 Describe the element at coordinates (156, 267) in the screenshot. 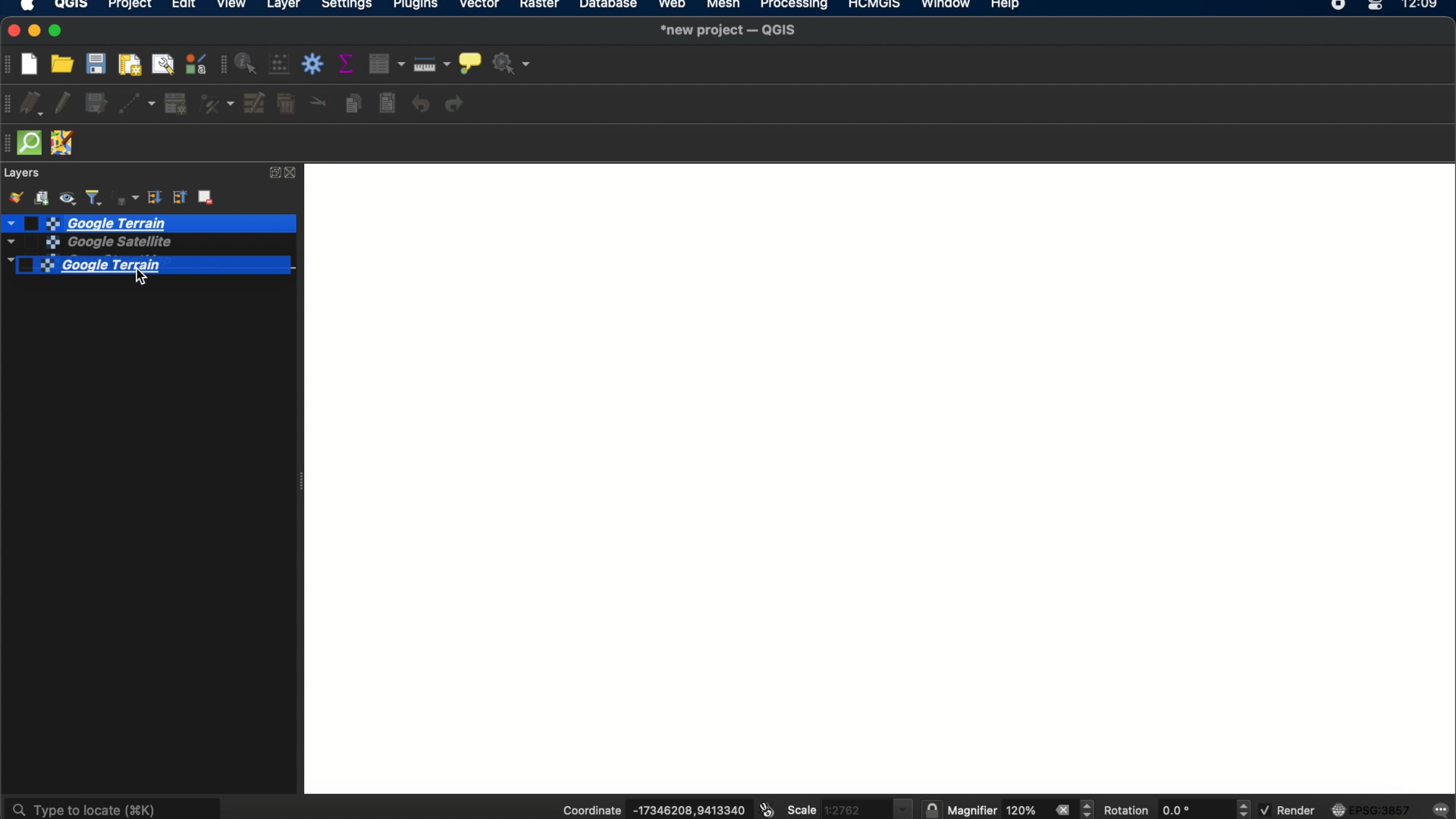

I see `Google Terrain selected` at that location.